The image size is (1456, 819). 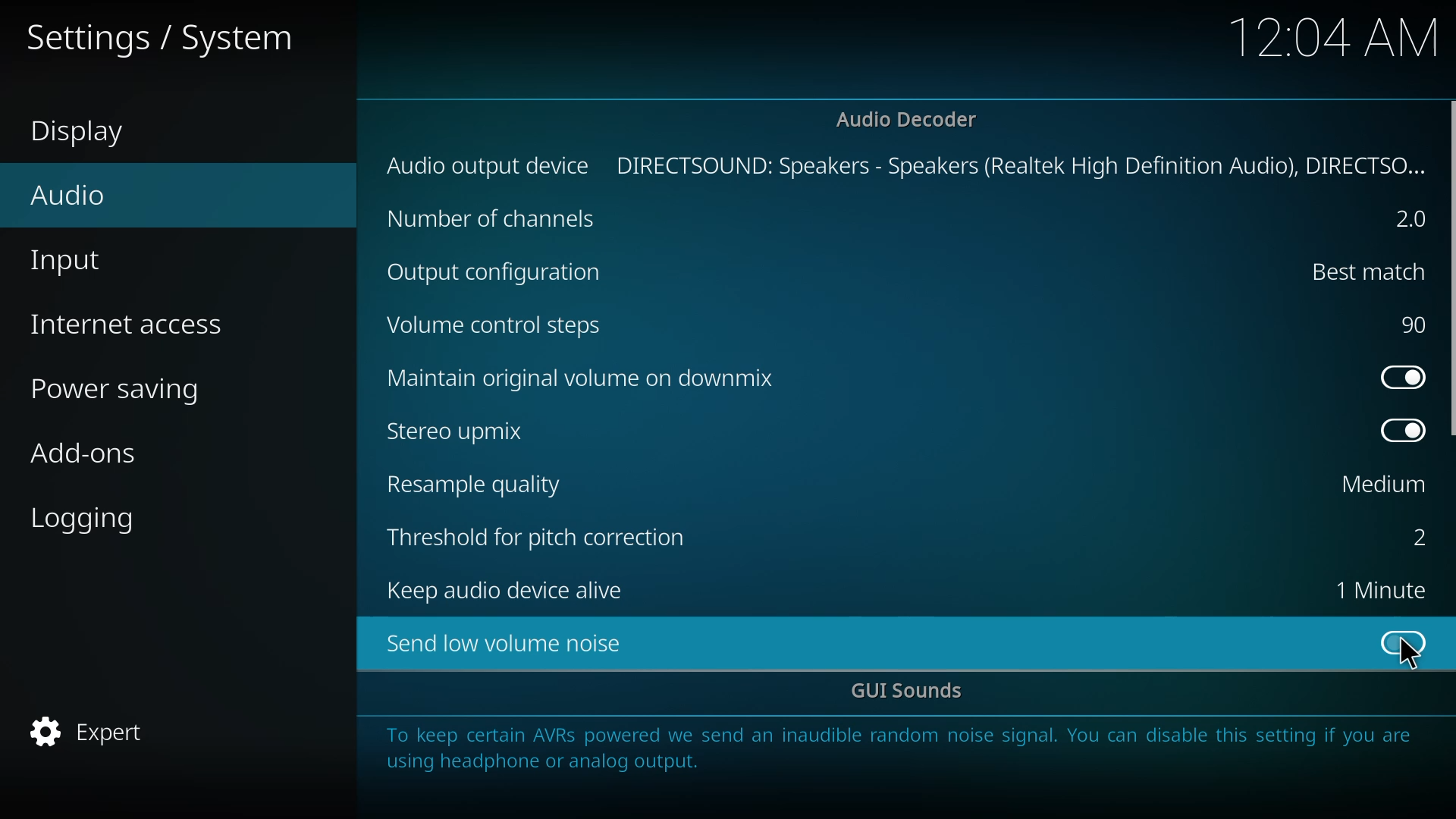 I want to click on add-ons, so click(x=87, y=454).